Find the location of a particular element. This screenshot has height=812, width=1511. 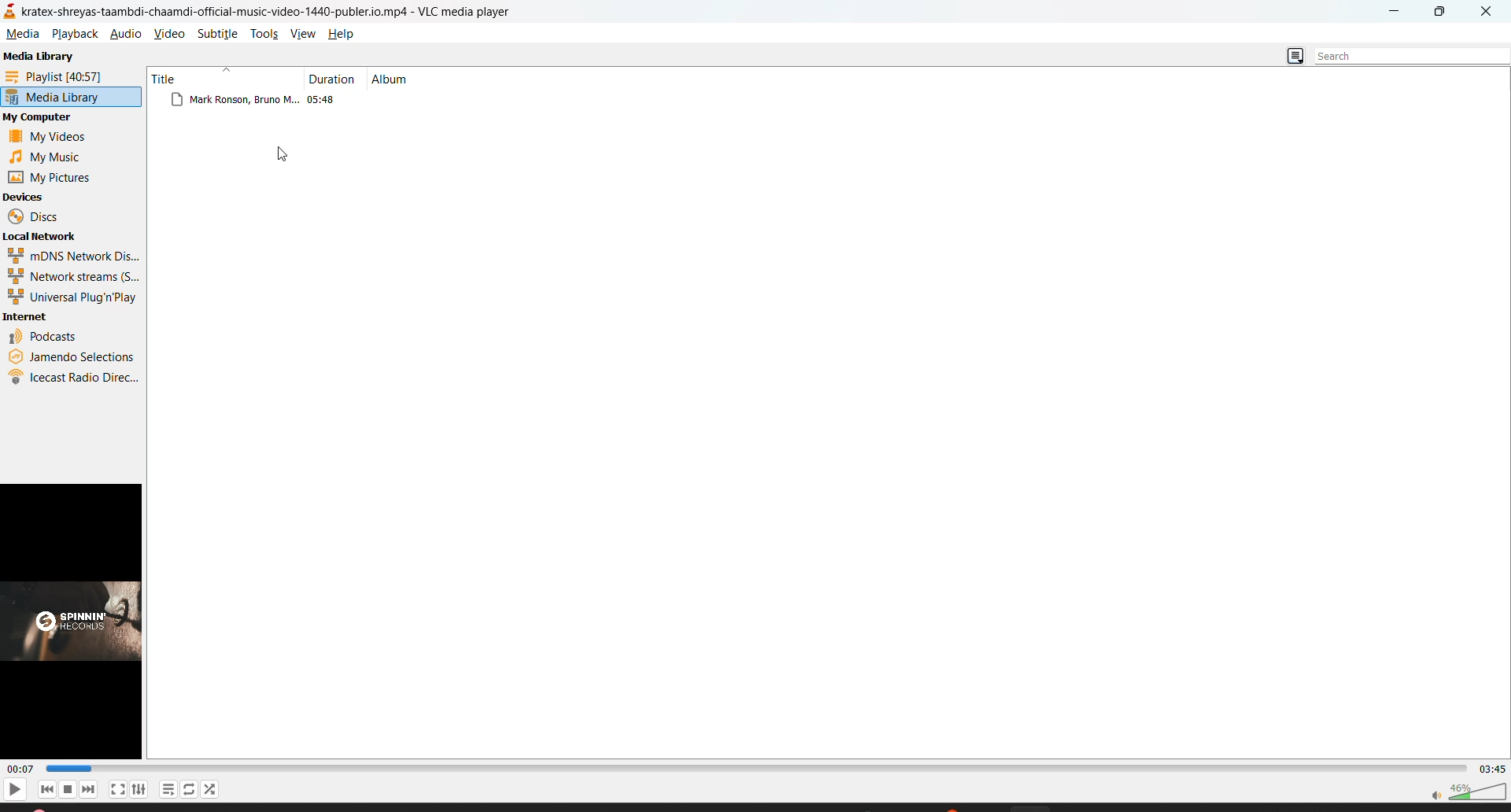

local network is located at coordinates (49, 238).